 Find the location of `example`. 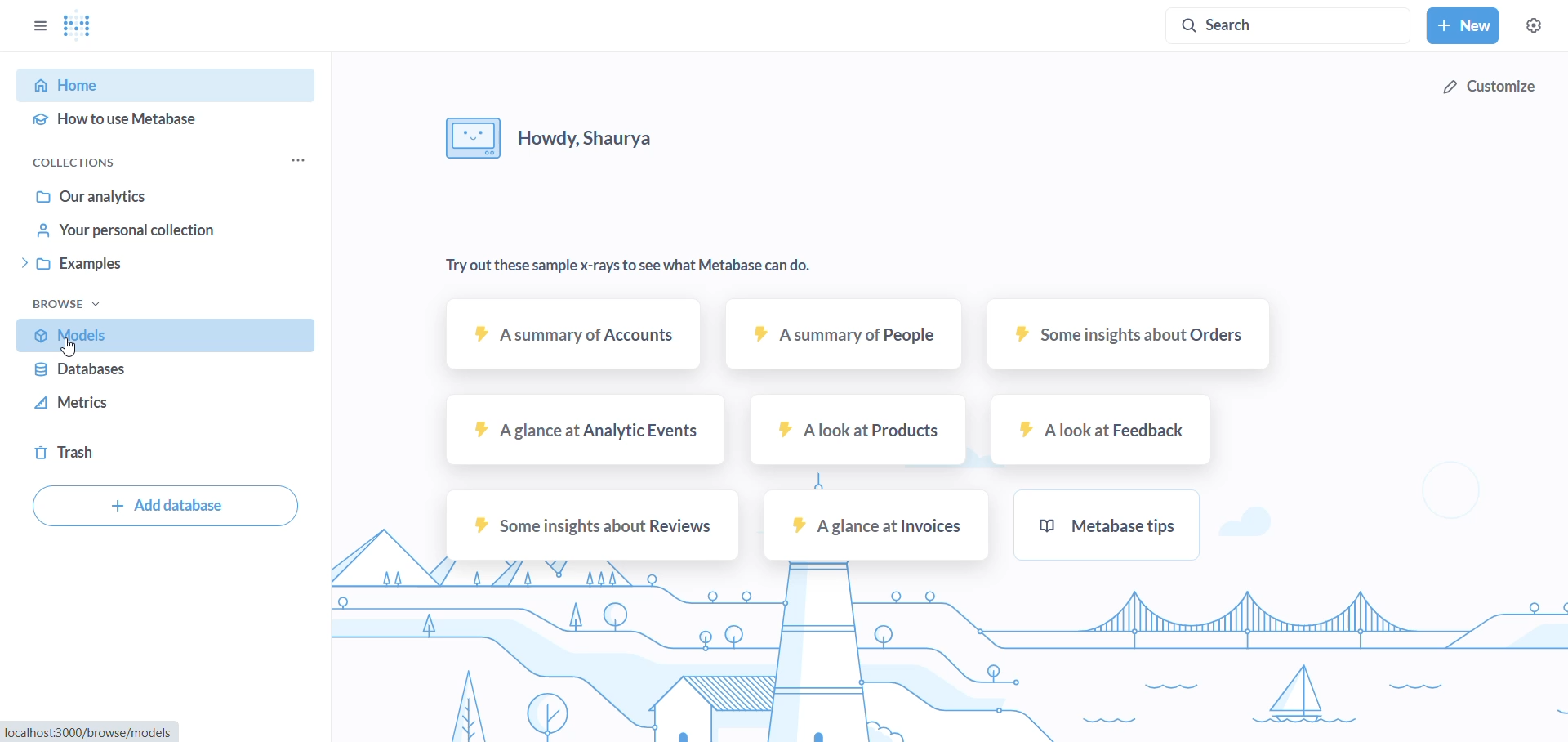

example is located at coordinates (160, 266).